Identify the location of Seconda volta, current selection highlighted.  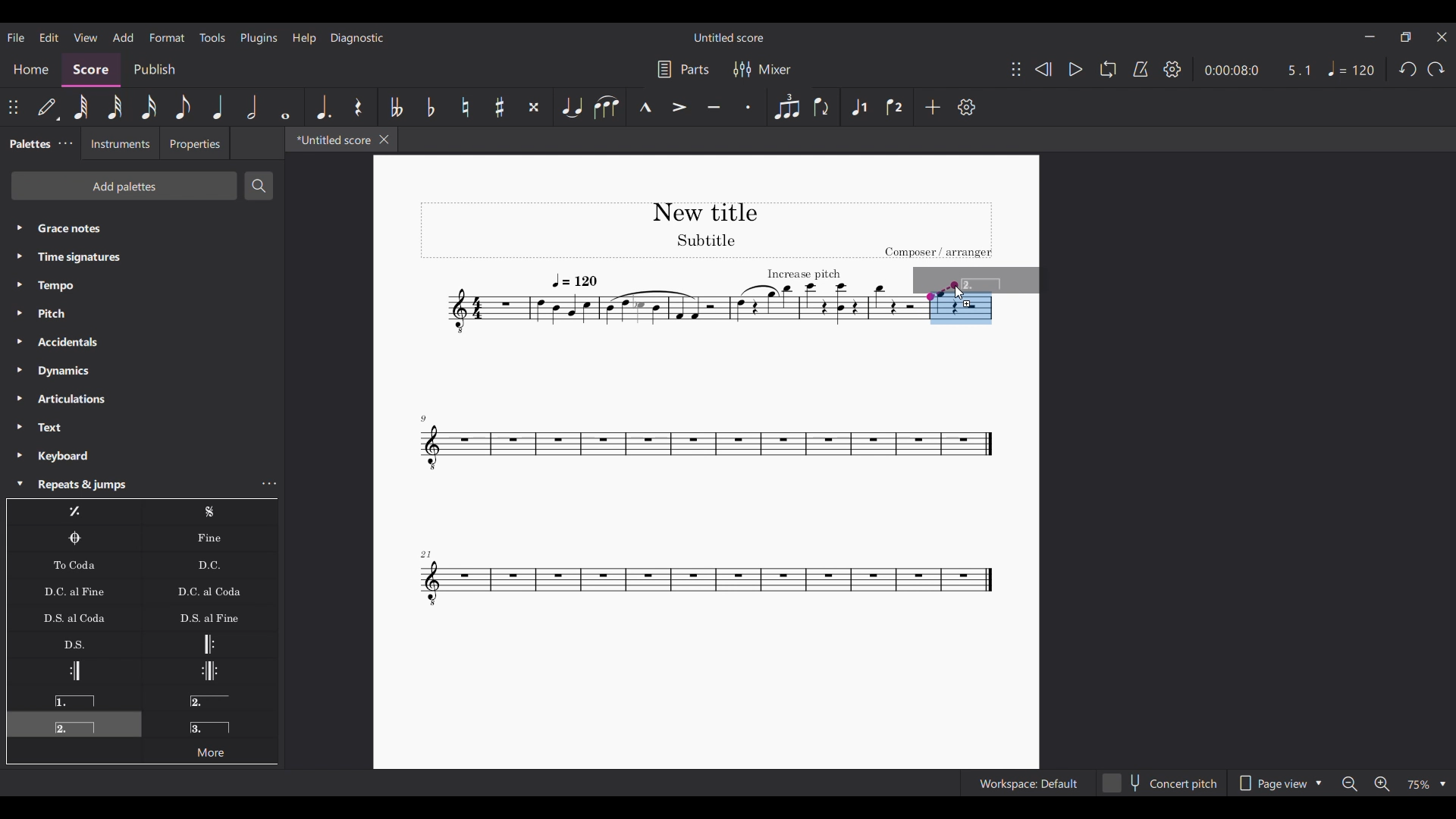
(74, 724).